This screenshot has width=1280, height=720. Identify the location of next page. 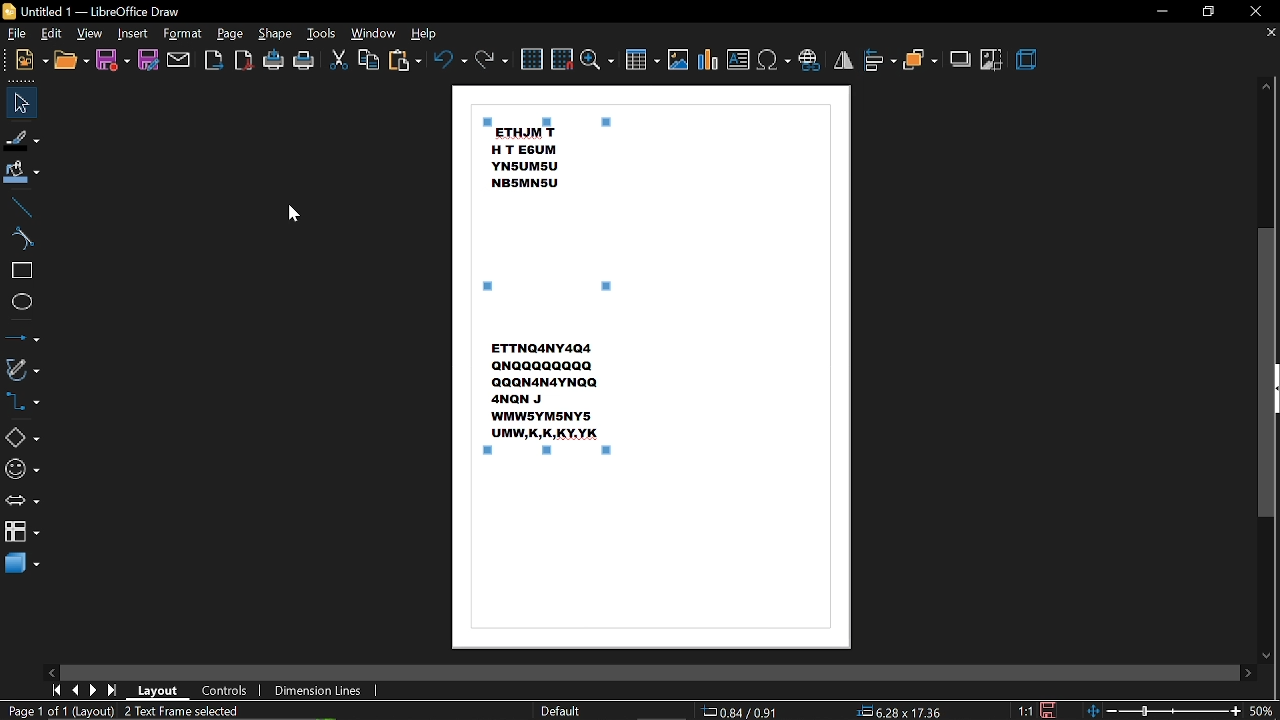
(96, 690).